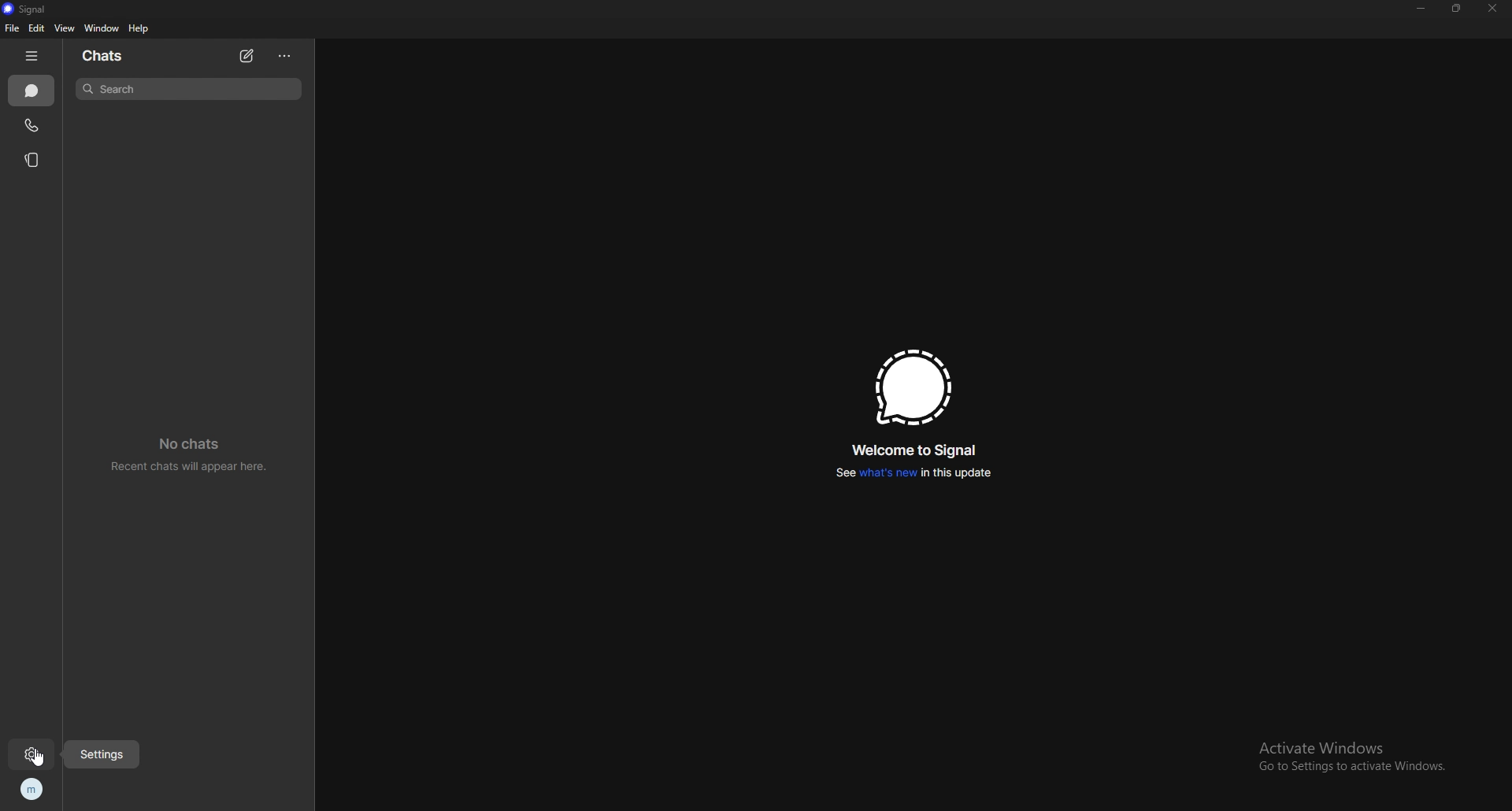 This screenshot has width=1512, height=811. What do you see at coordinates (33, 91) in the screenshot?
I see `chats` at bounding box center [33, 91].